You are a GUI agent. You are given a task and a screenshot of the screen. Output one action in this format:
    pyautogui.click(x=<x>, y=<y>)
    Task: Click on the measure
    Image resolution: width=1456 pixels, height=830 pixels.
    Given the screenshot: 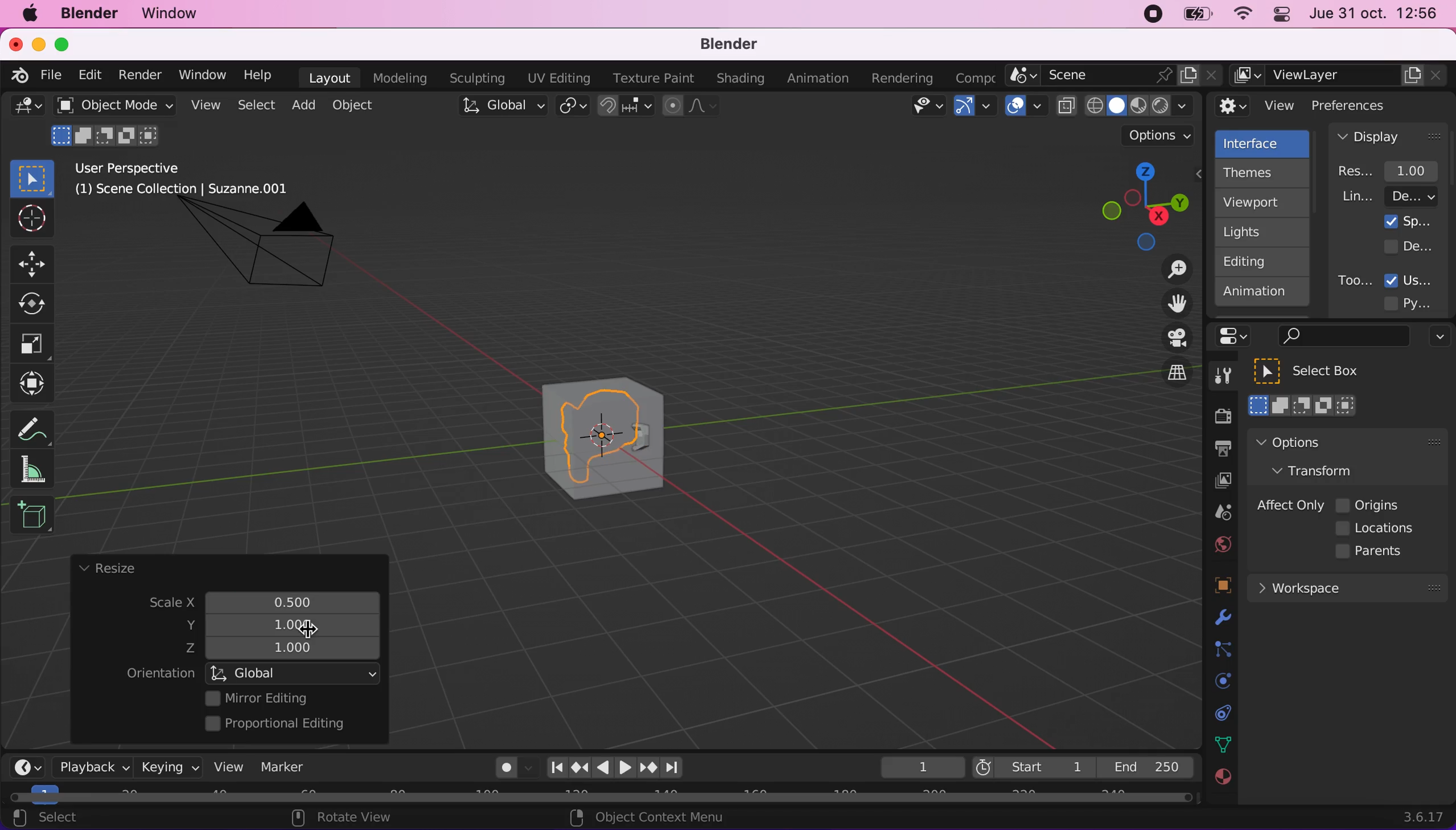 What is the action you would take?
    pyautogui.click(x=40, y=469)
    